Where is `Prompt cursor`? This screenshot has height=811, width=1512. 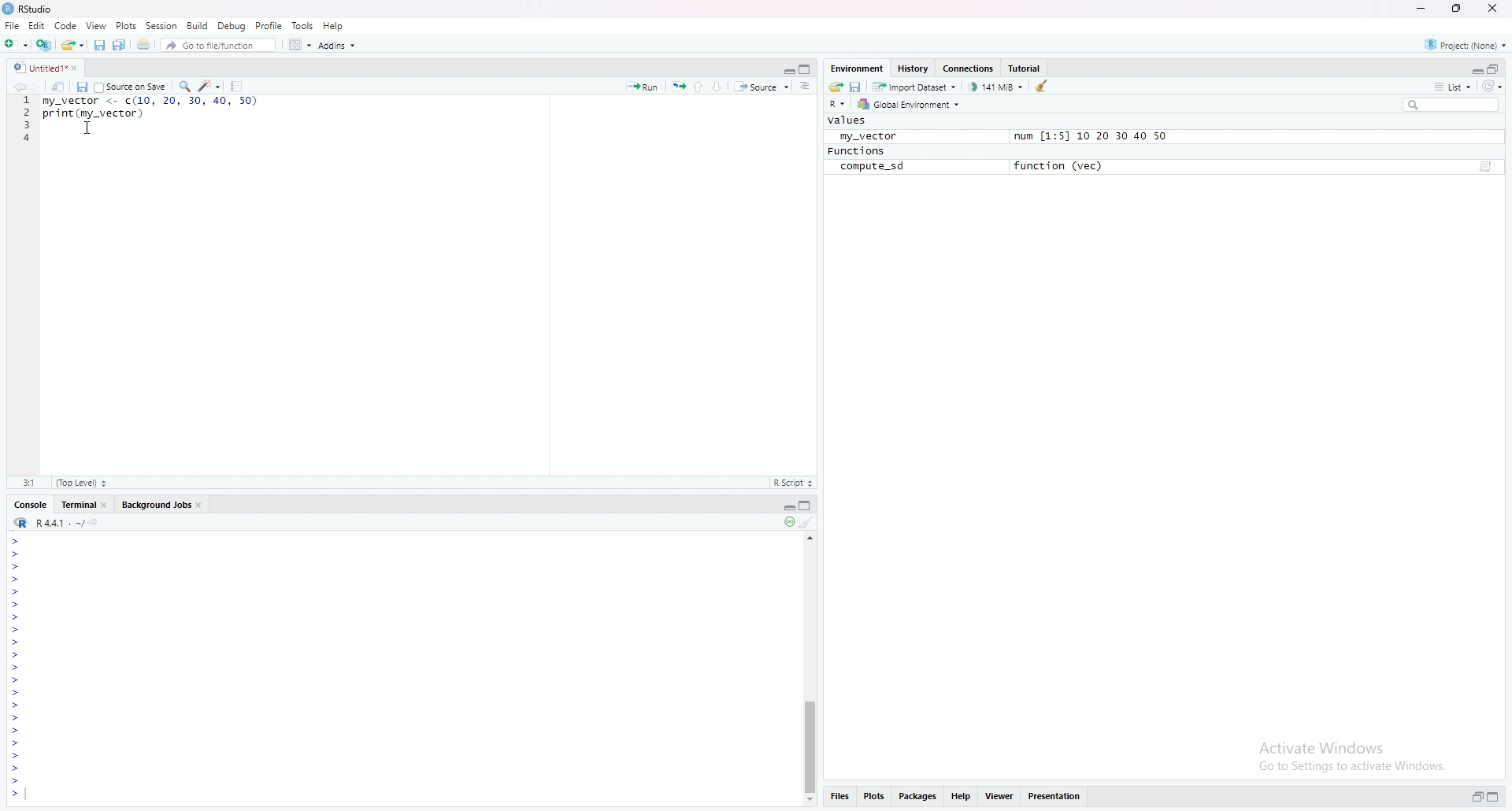
Prompt cursor is located at coordinates (16, 540).